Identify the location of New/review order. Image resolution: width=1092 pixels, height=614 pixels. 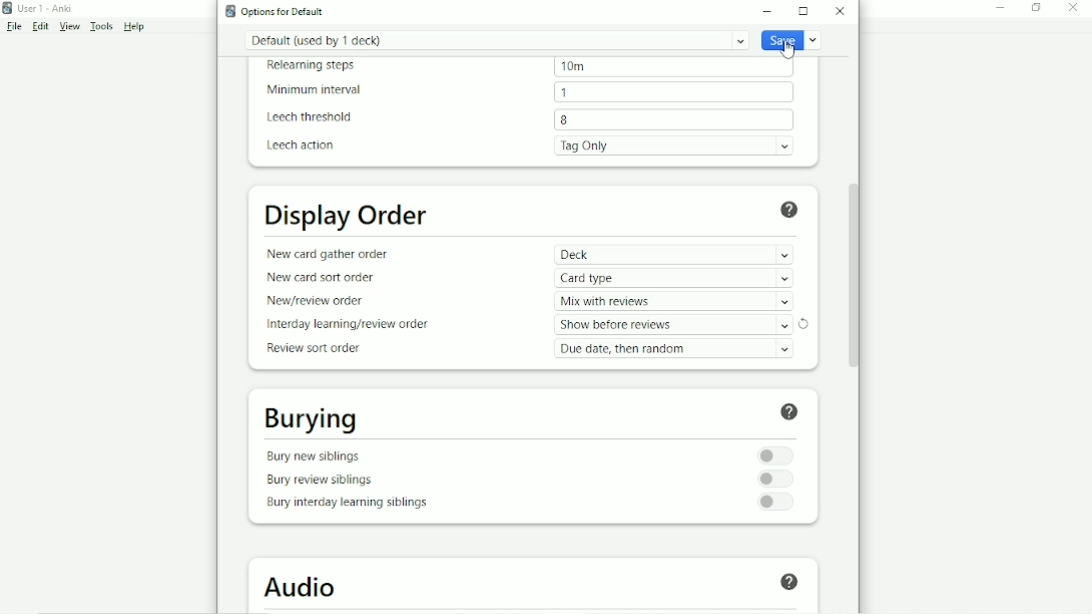
(314, 301).